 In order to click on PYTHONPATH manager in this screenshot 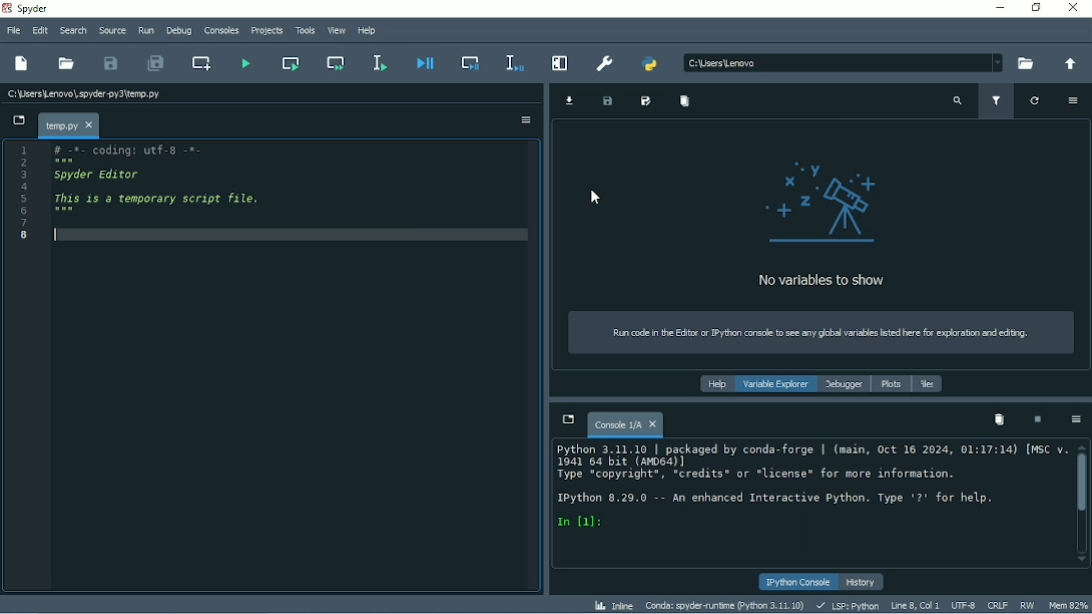, I will do `click(650, 63)`.